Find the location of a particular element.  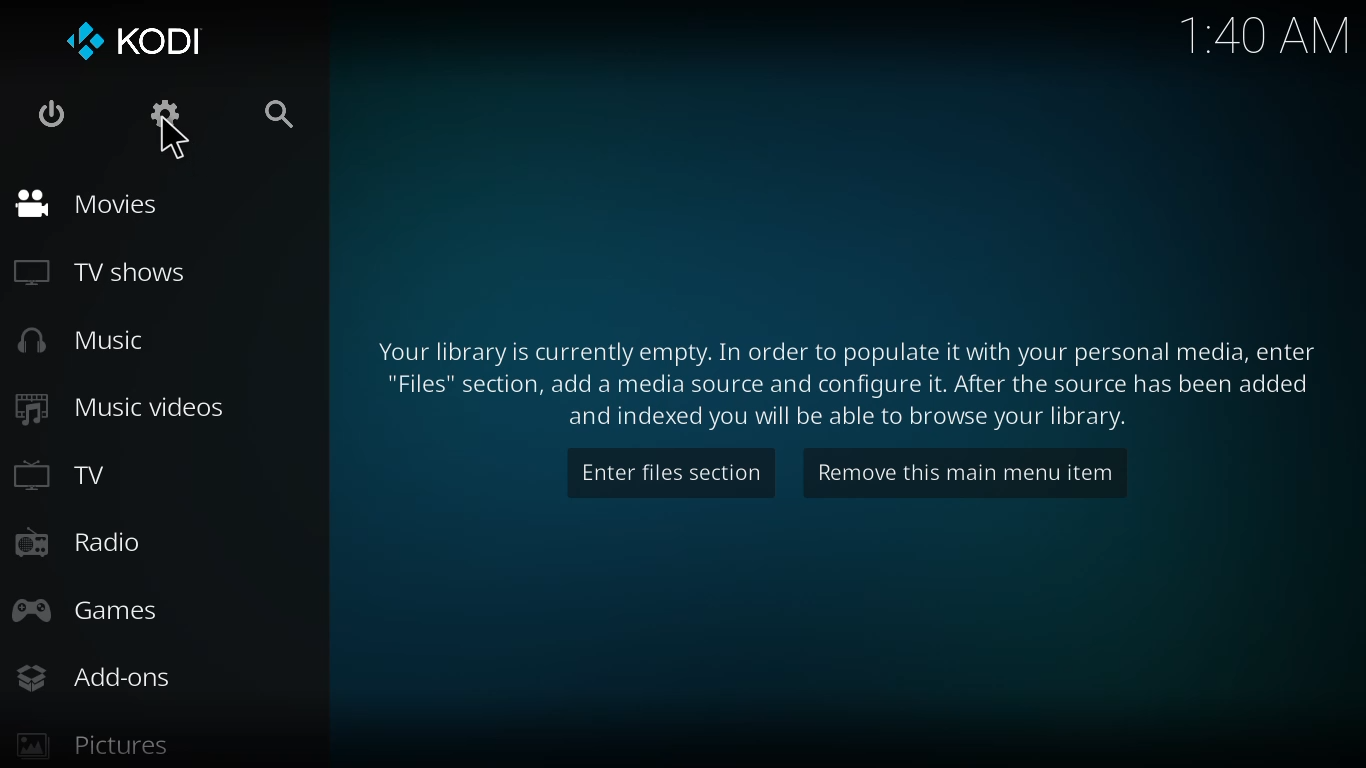

kodi is located at coordinates (136, 38).